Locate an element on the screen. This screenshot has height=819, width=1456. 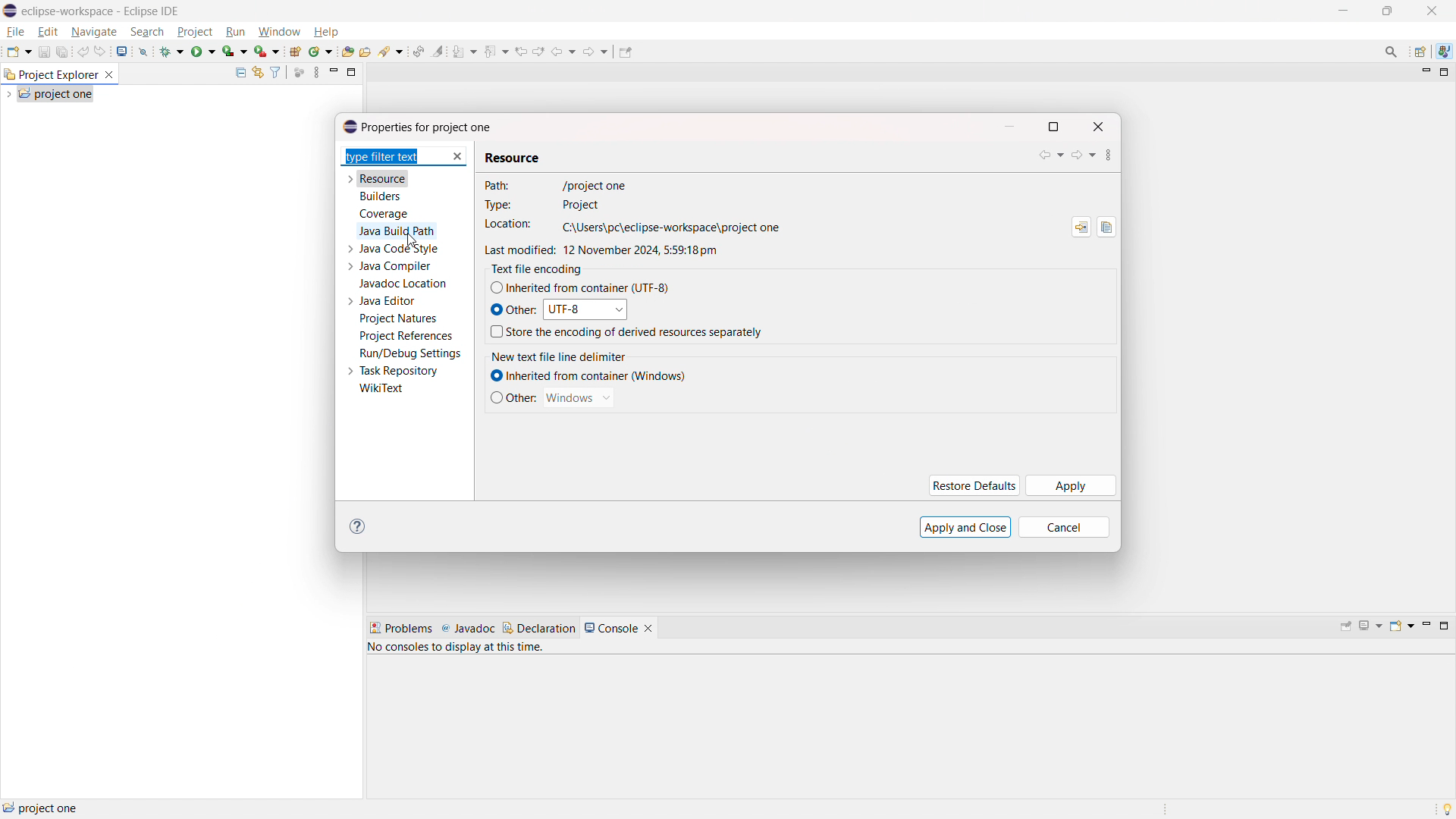
java compiler is located at coordinates (397, 266).